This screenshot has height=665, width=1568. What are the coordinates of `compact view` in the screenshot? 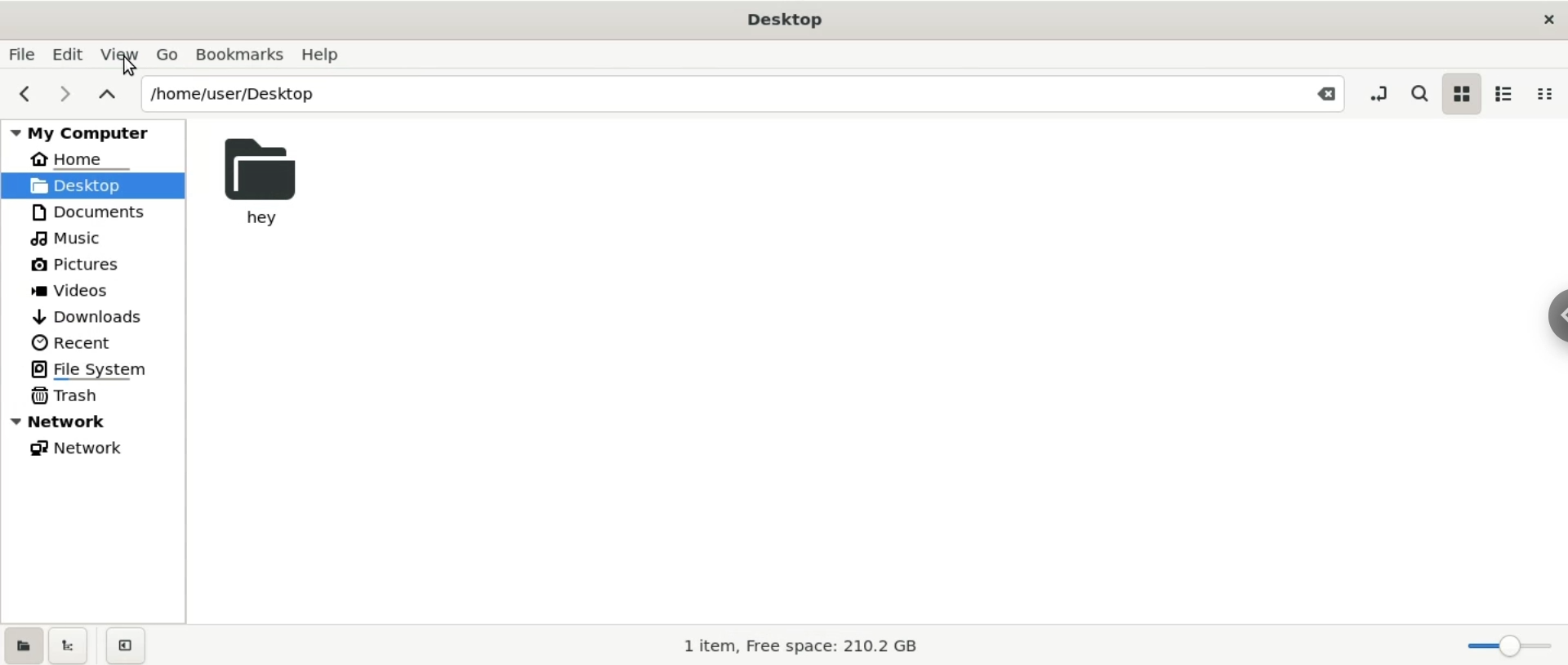 It's located at (1545, 94).